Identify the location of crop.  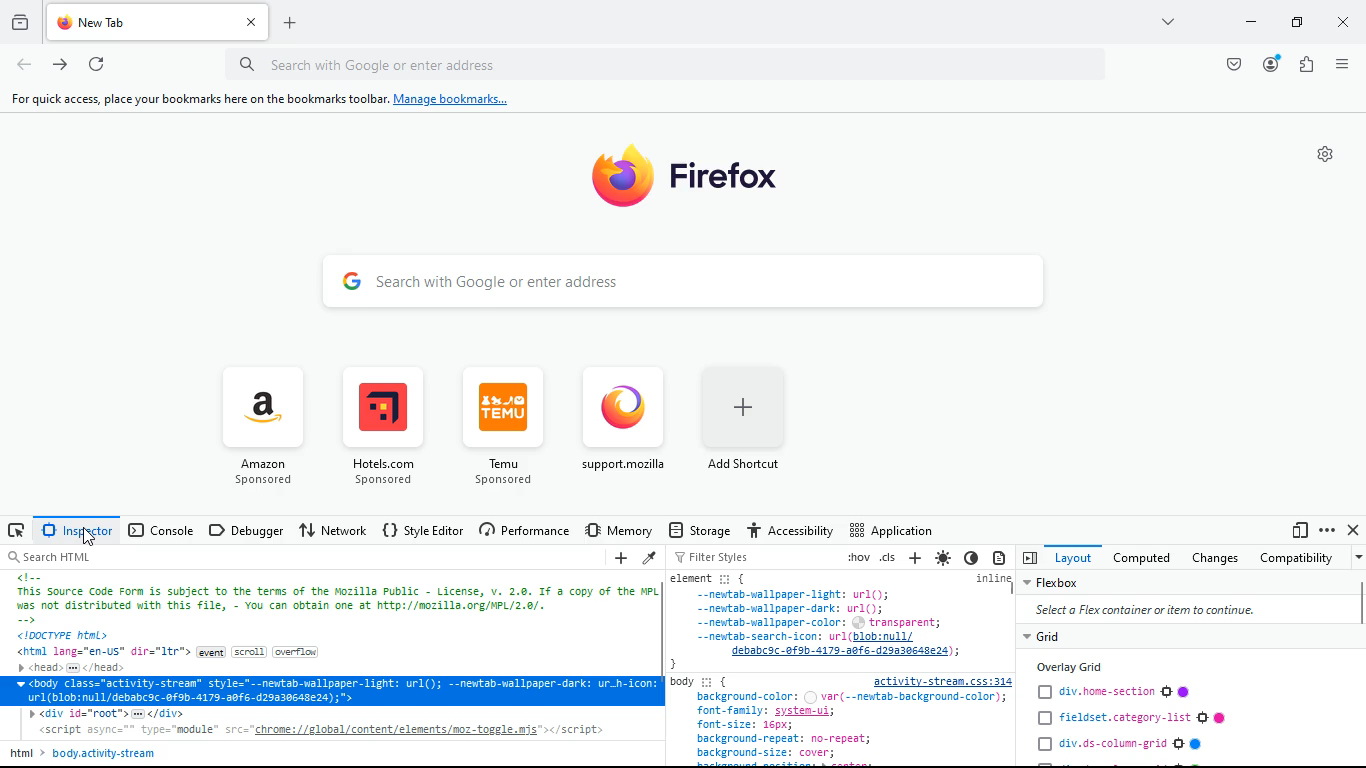
(724, 578).